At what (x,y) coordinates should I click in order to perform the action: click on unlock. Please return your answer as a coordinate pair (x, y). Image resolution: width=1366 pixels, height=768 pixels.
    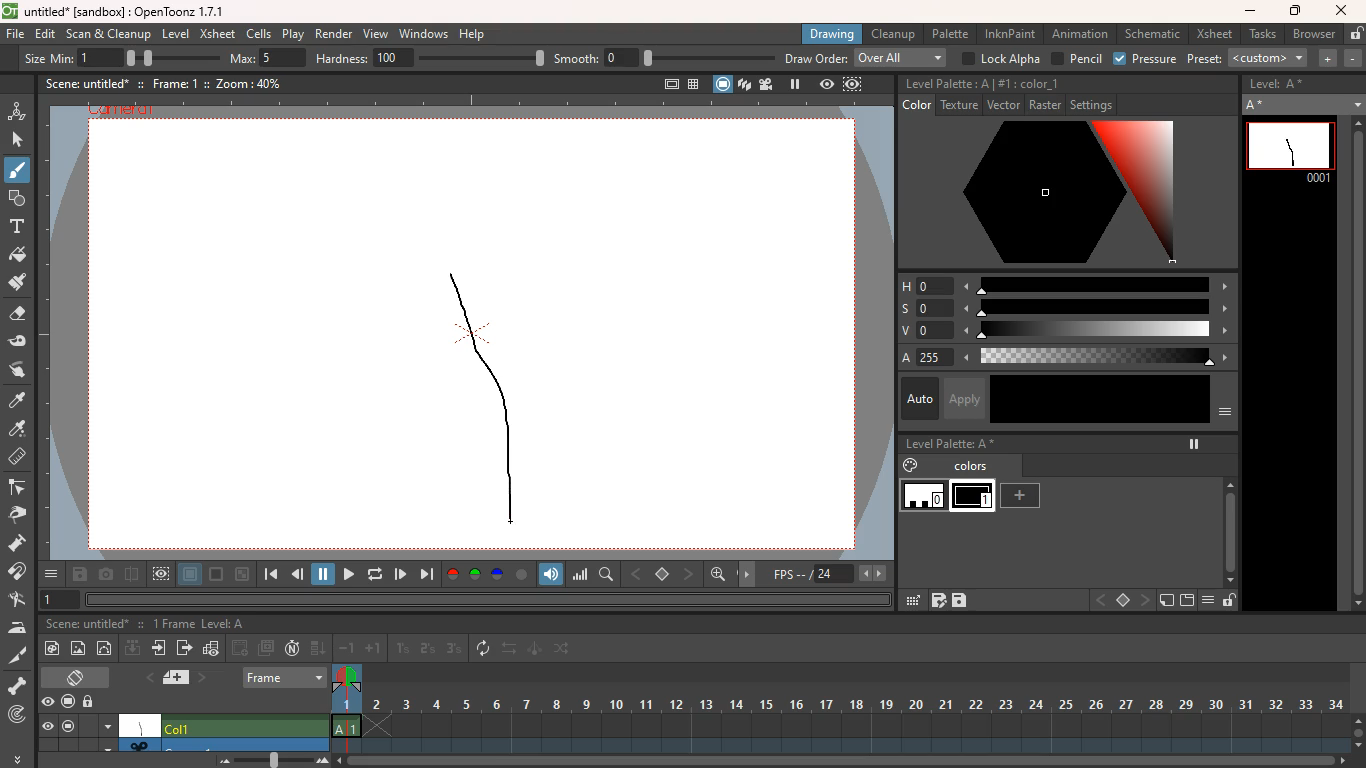
    Looking at the image, I should click on (1229, 602).